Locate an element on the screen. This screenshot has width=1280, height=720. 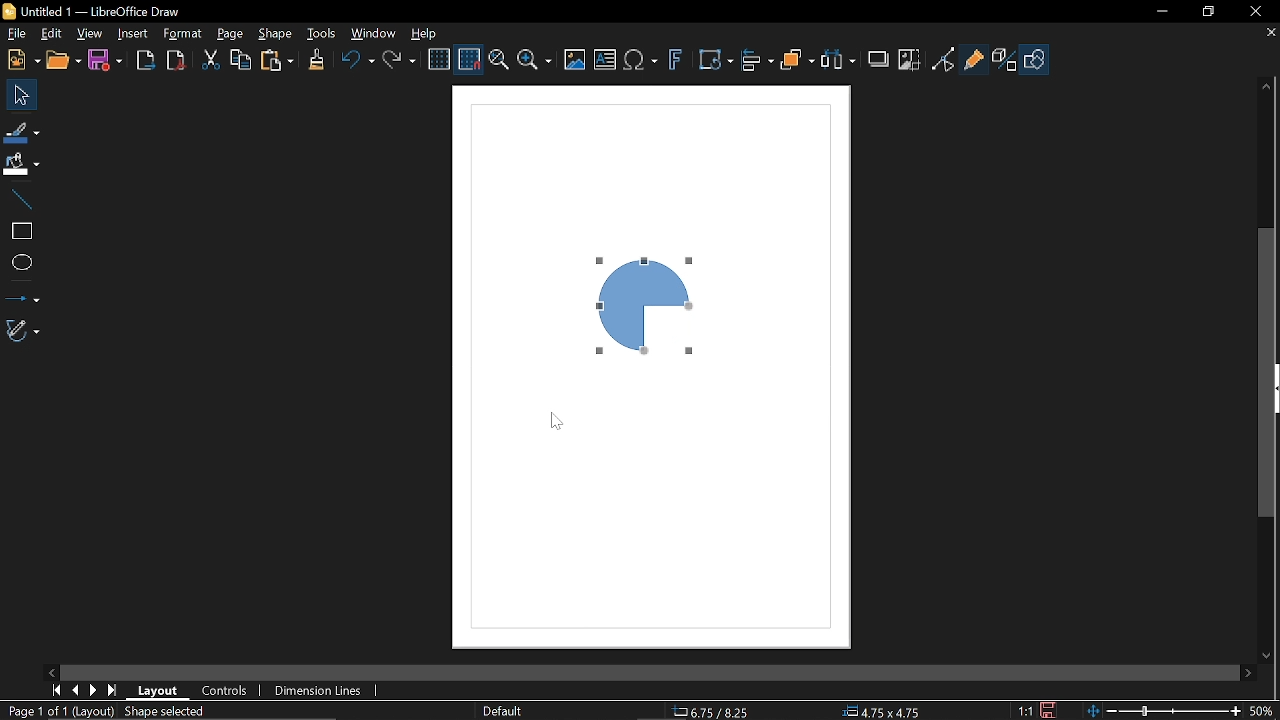
Toggle ectrusion is located at coordinates (1005, 60).